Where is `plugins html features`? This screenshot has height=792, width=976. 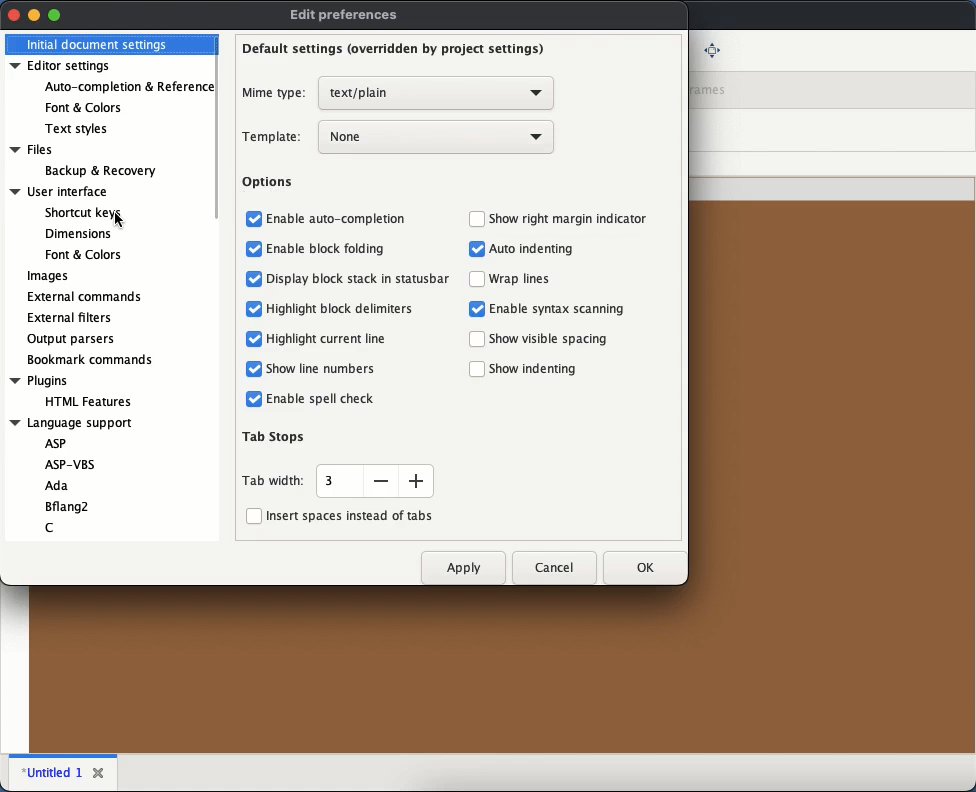
plugins html features is located at coordinates (40, 381).